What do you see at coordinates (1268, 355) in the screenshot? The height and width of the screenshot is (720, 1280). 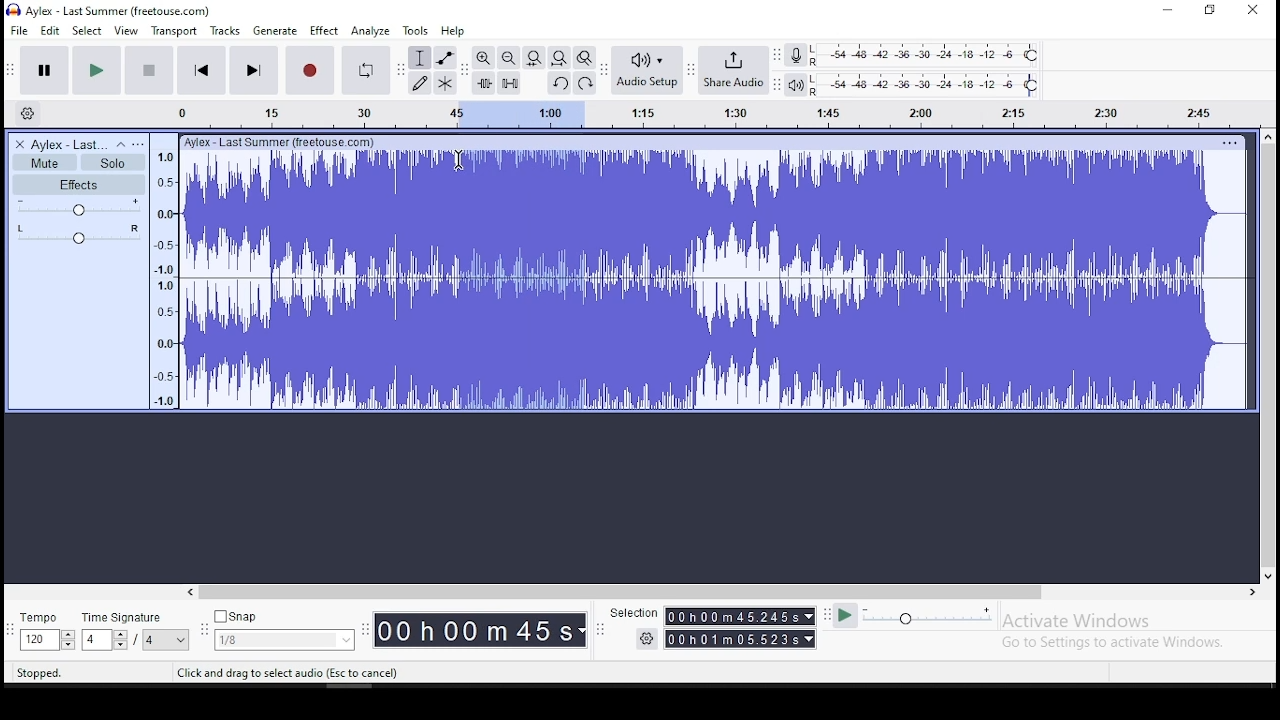 I see `scroll bar` at bounding box center [1268, 355].